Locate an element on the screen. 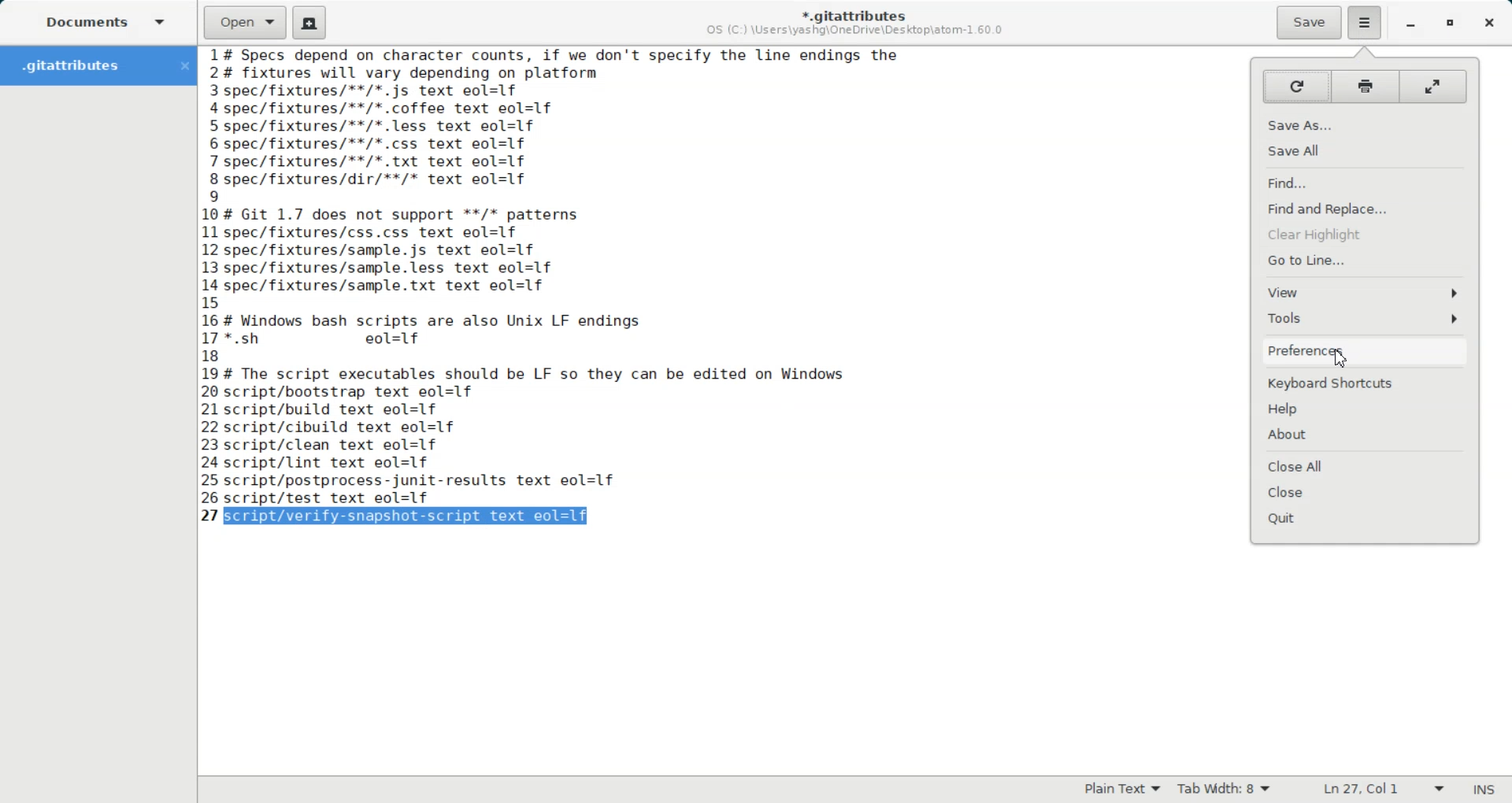 Image resolution: width=1512 pixels, height=803 pixels. Close is located at coordinates (1489, 24).